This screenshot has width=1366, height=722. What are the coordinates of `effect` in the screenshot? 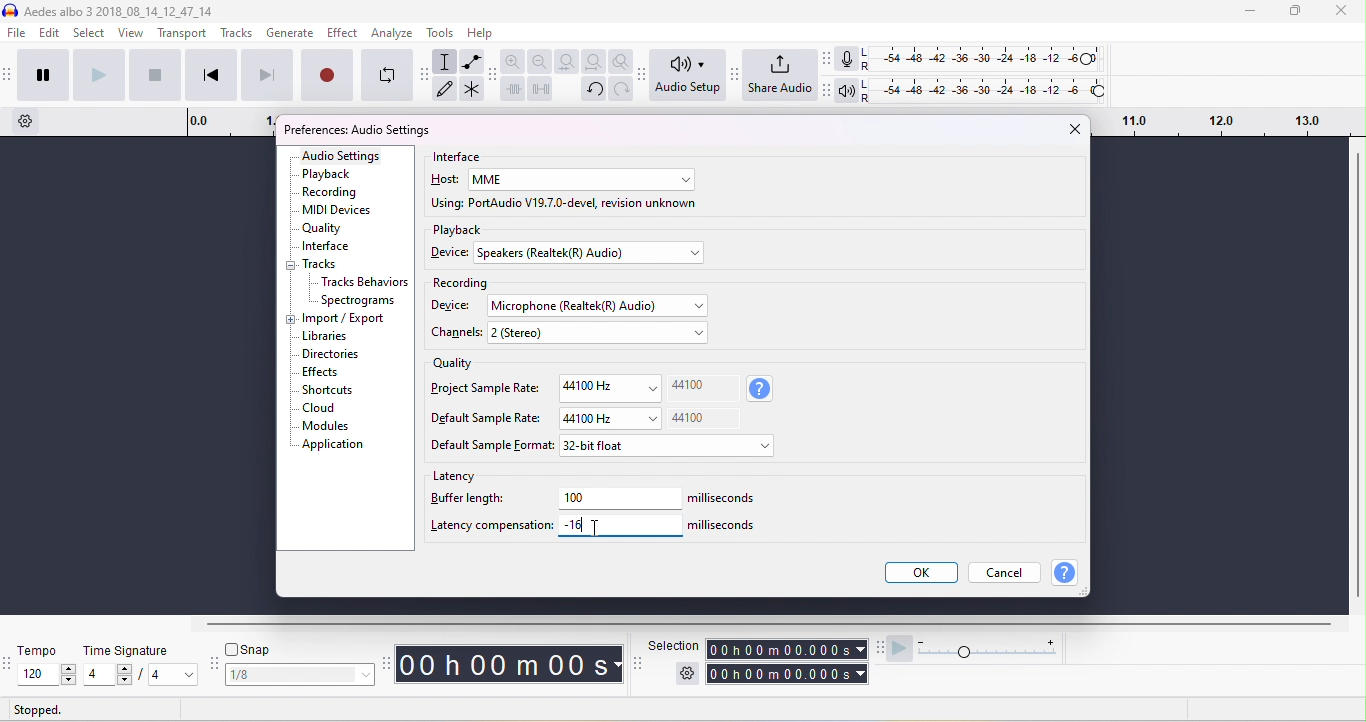 It's located at (342, 32).